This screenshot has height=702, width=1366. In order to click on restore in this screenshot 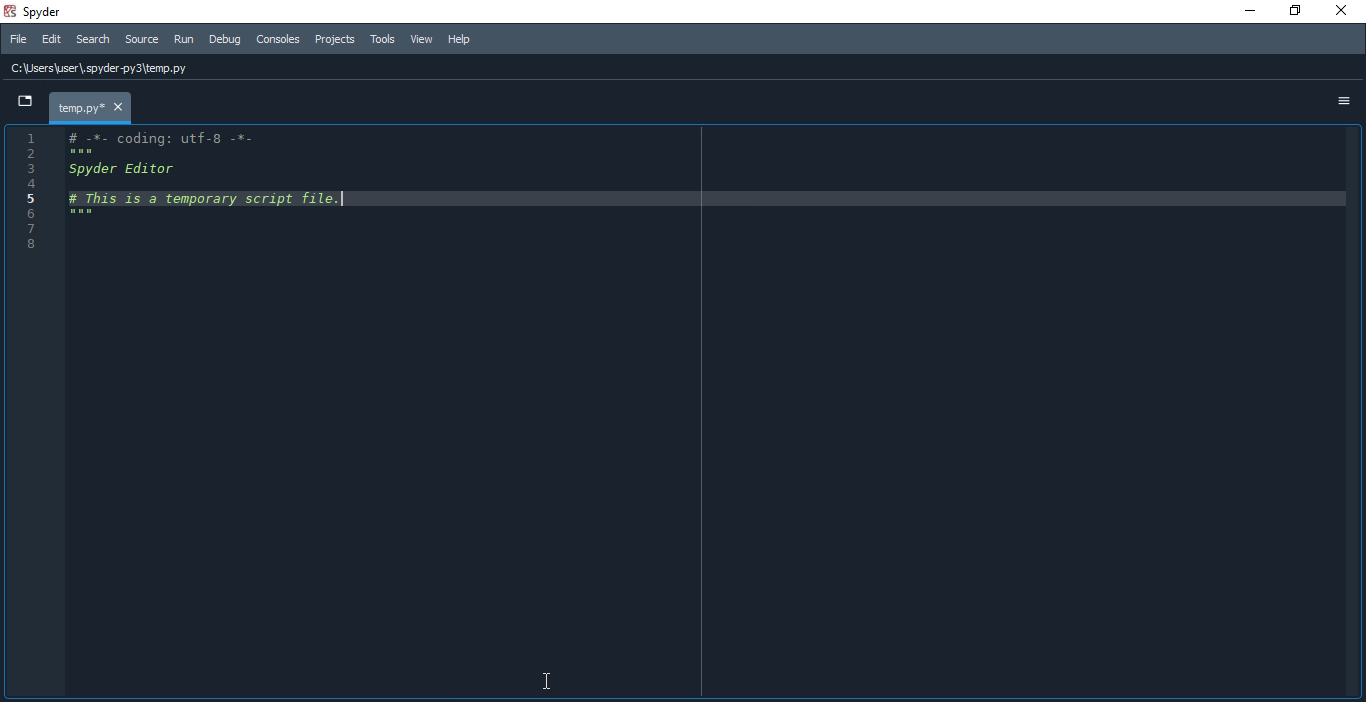, I will do `click(1294, 12)`.